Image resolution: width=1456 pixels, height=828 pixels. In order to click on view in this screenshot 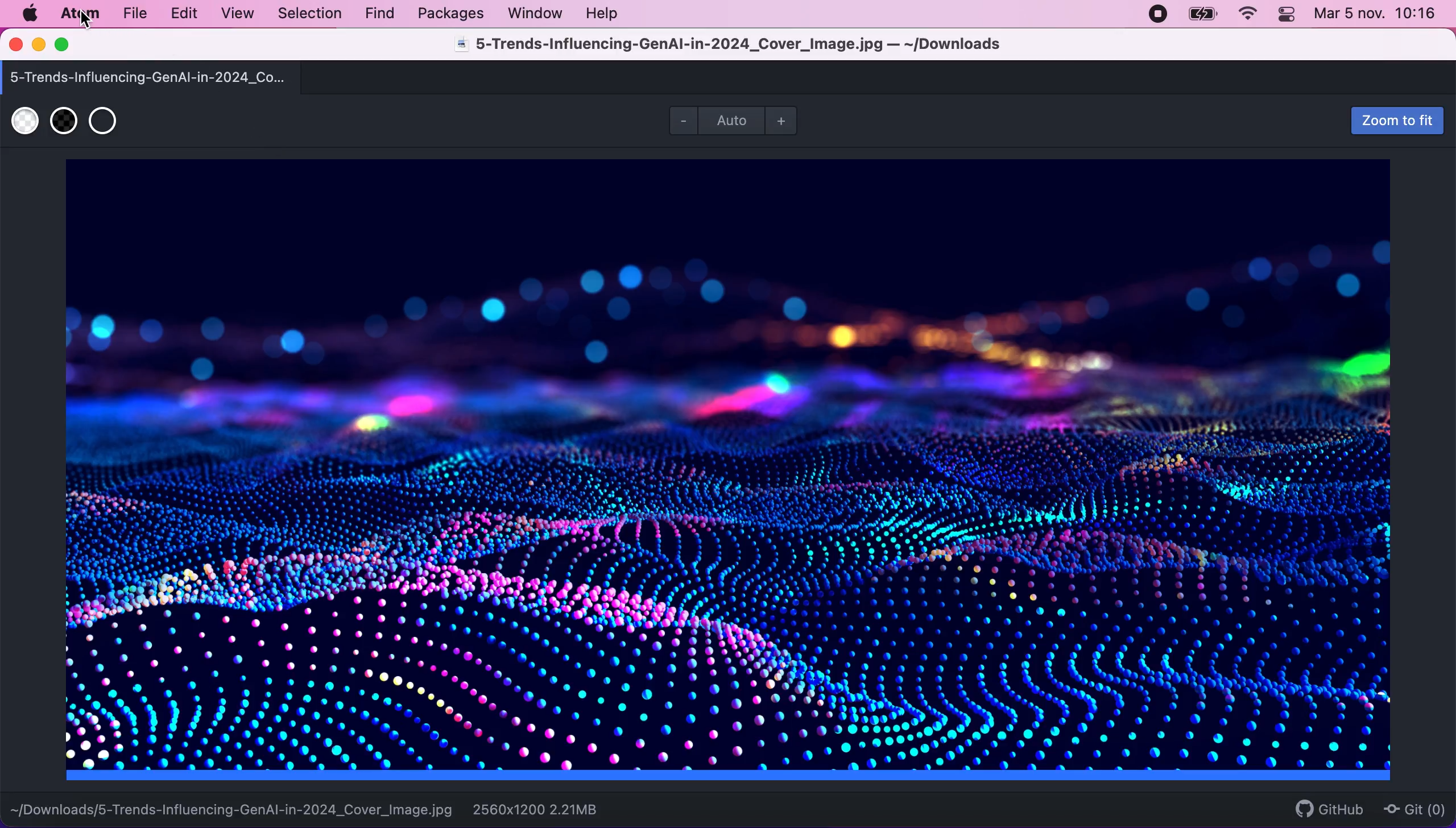, I will do `click(234, 14)`.